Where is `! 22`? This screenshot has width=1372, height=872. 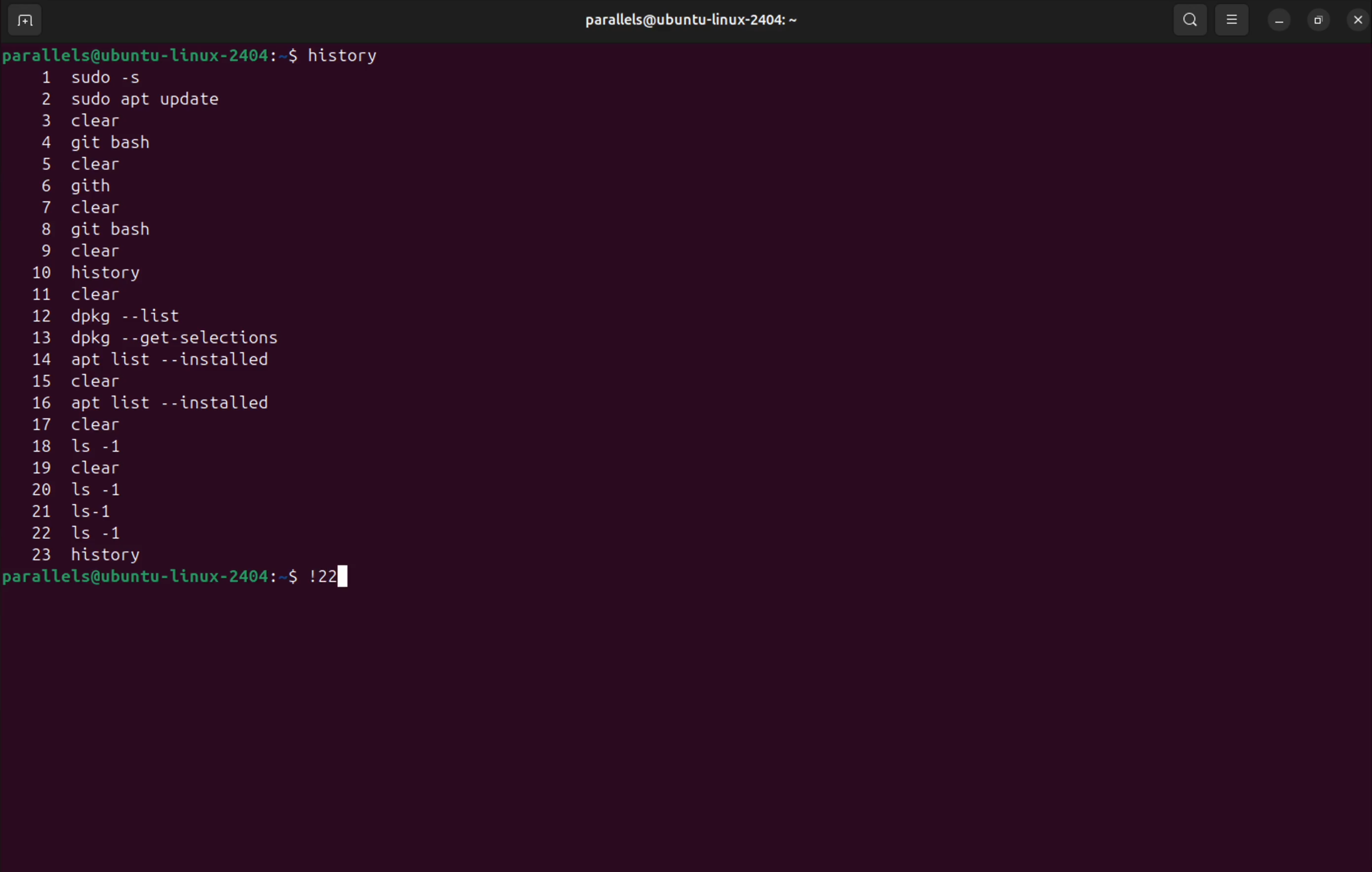 ! 22 is located at coordinates (330, 574).